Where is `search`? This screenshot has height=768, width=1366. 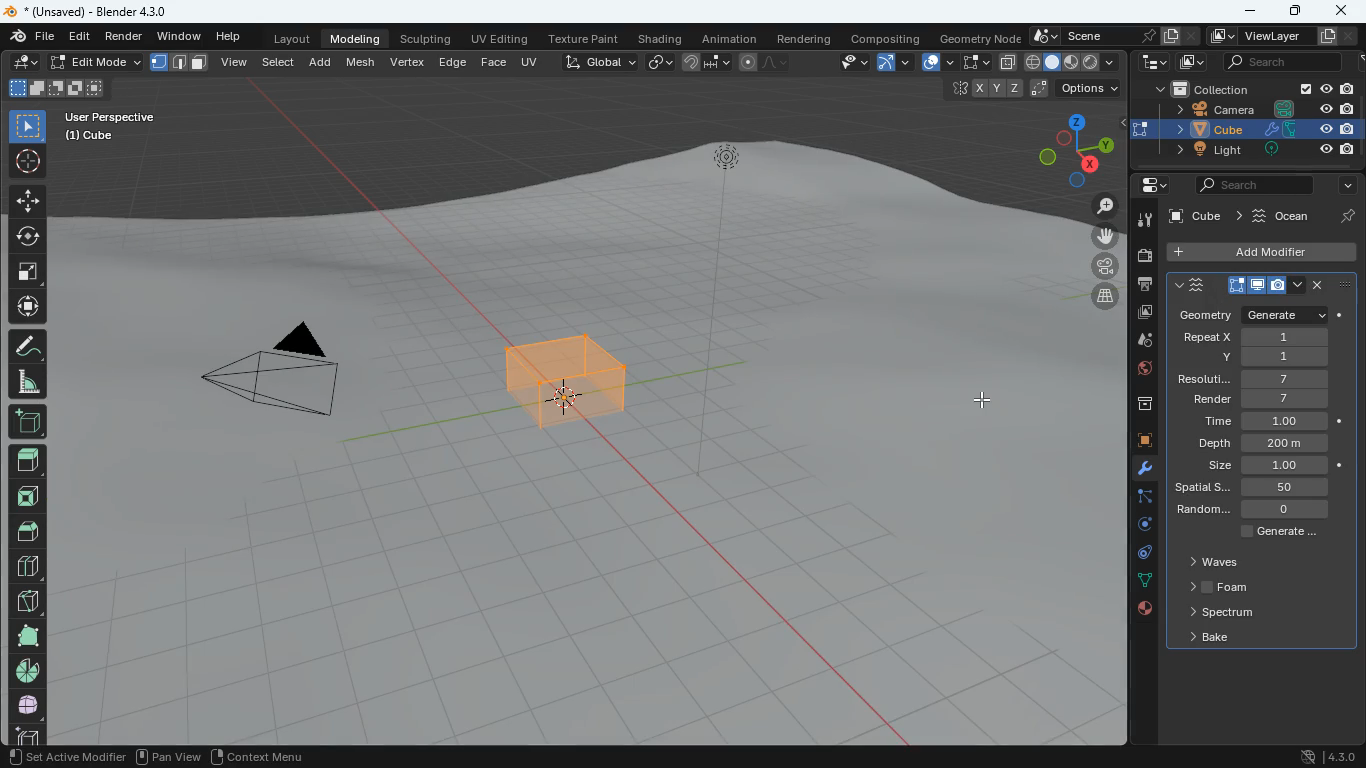 search is located at coordinates (1285, 62).